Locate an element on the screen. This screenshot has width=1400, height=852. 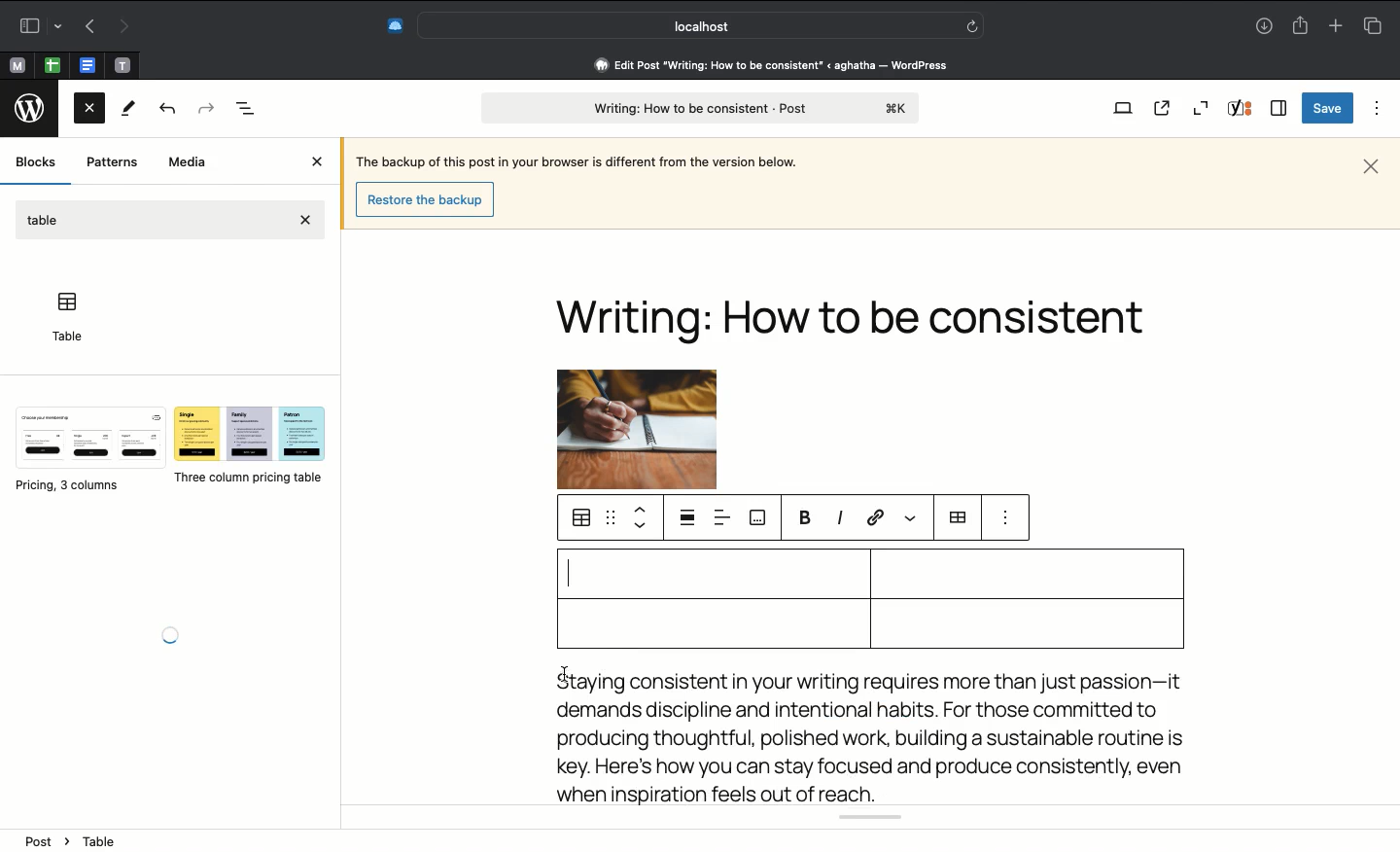
Forward is located at coordinates (205, 109).